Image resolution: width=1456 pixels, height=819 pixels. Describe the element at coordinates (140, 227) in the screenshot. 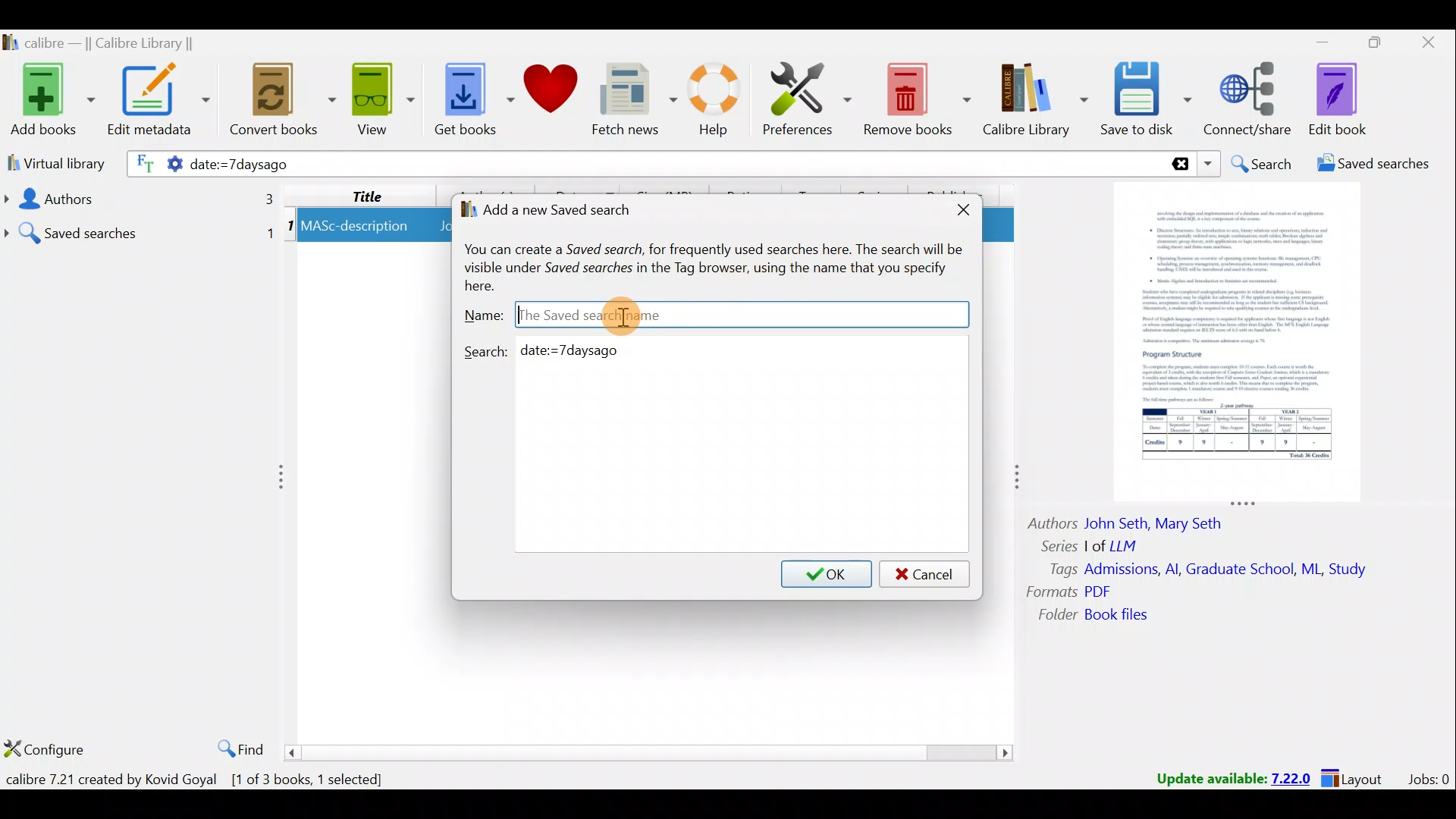

I see `Saved searches` at that location.